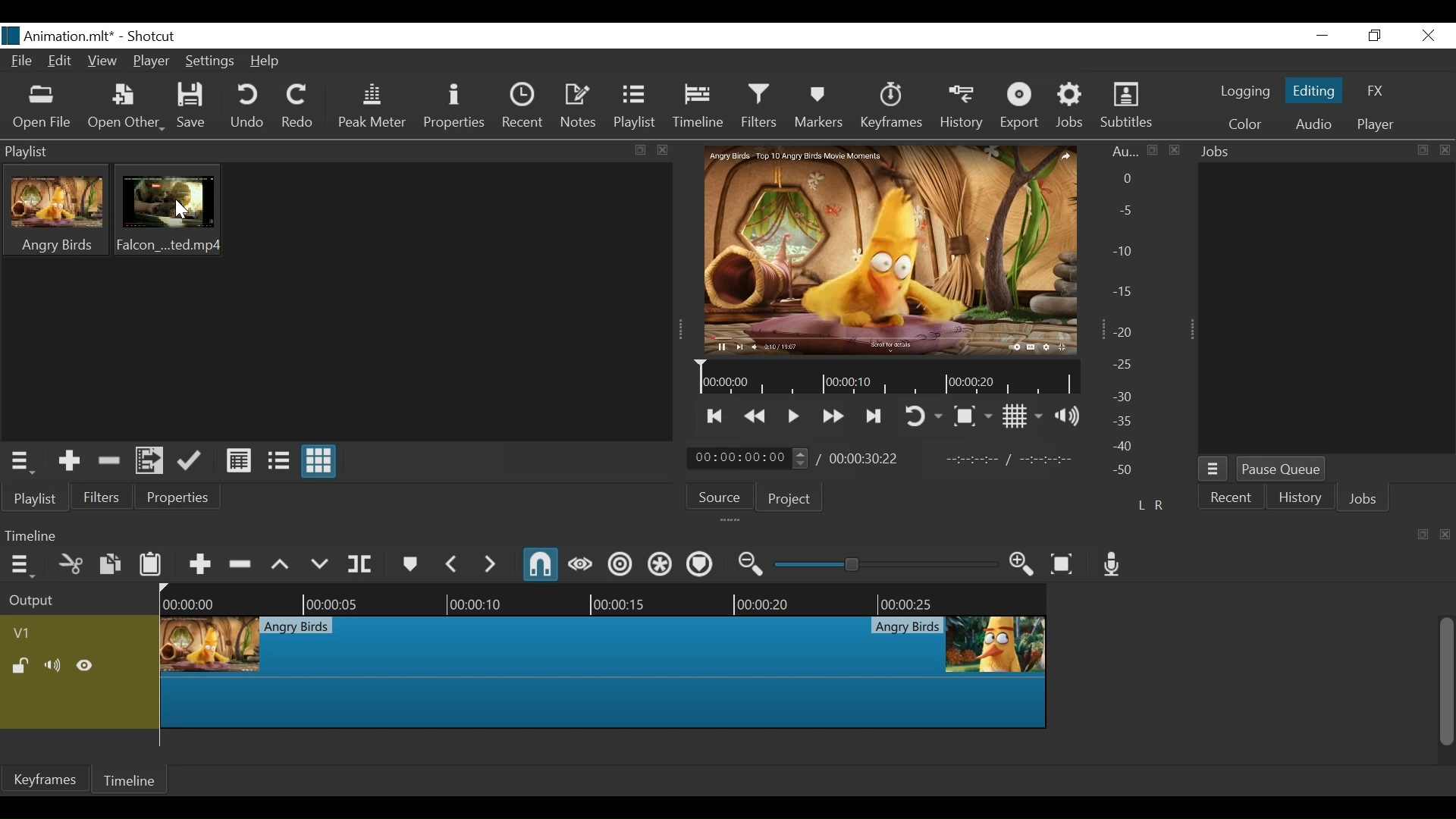  Describe the element at coordinates (700, 564) in the screenshot. I see `Ripple Markers` at that location.